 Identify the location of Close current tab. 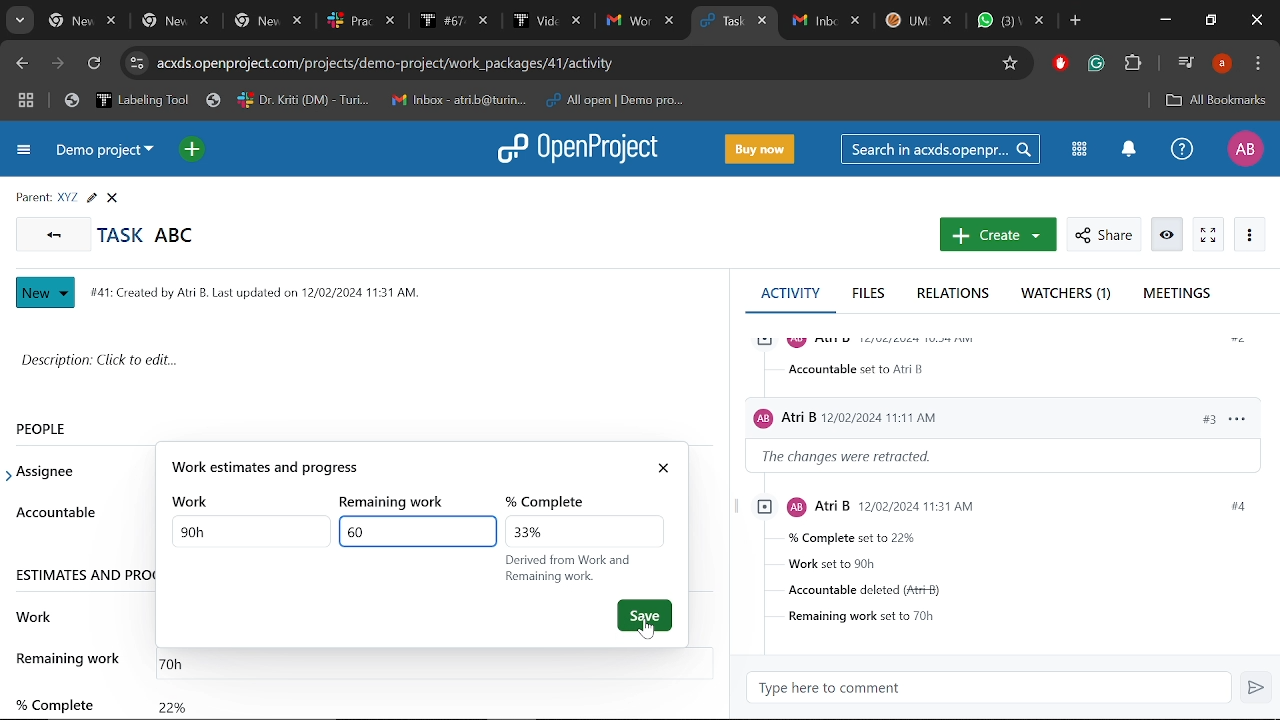
(764, 23).